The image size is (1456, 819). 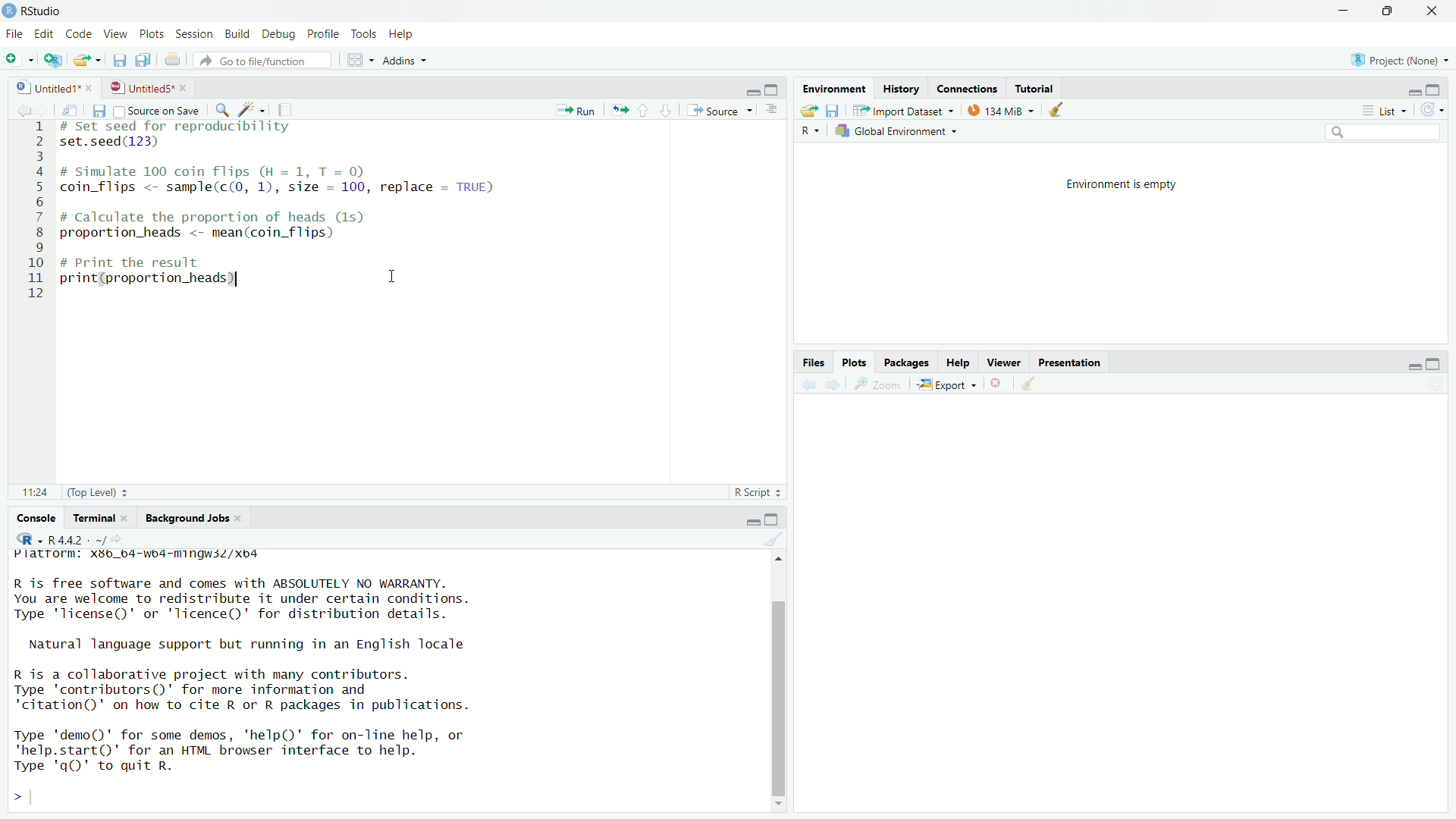 What do you see at coordinates (667, 111) in the screenshot?
I see `go to next section/chunk` at bounding box center [667, 111].